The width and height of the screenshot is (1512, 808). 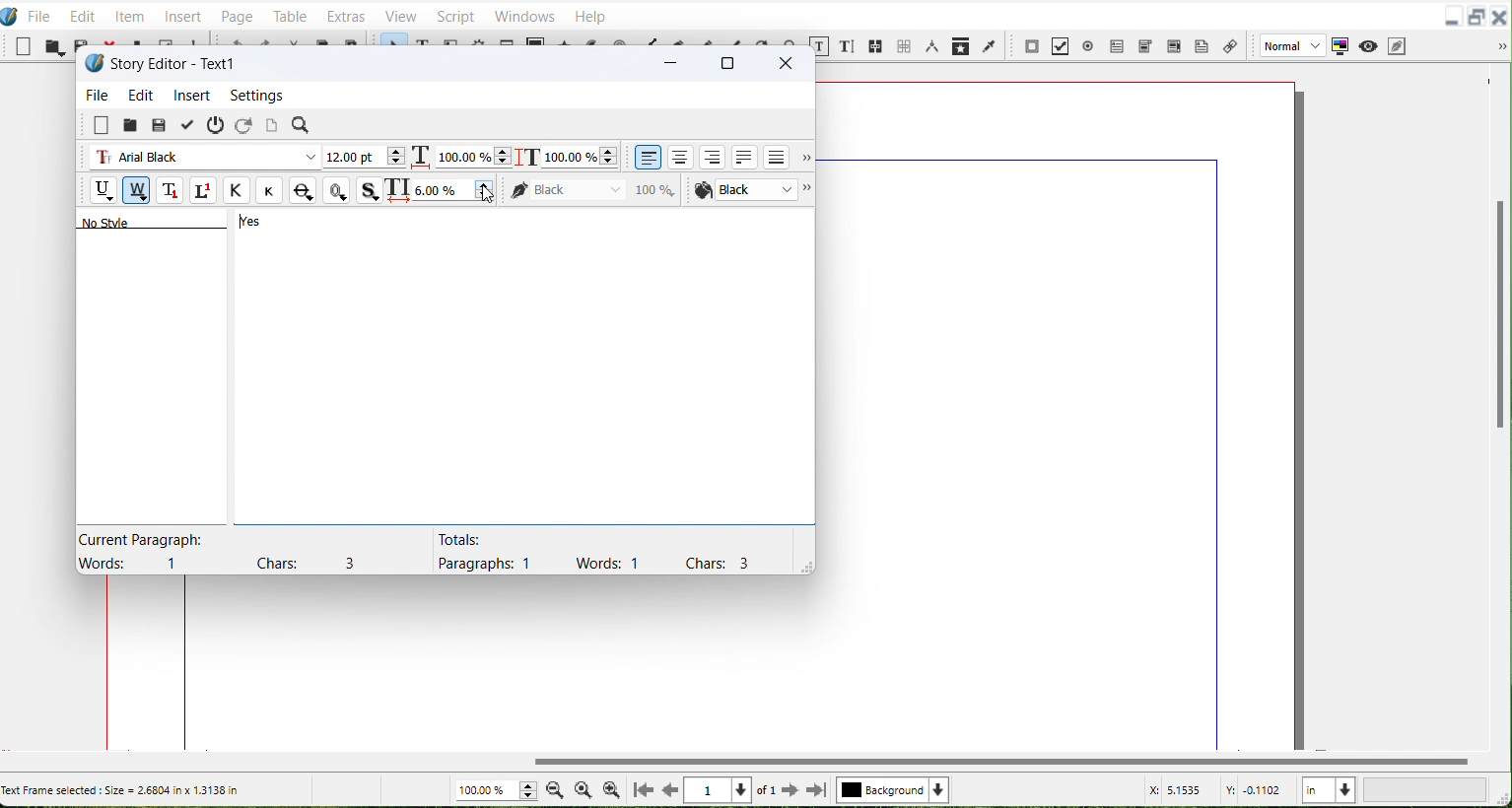 What do you see at coordinates (191, 96) in the screenshot?
I see `Insert` at bounding box center [191, 96].